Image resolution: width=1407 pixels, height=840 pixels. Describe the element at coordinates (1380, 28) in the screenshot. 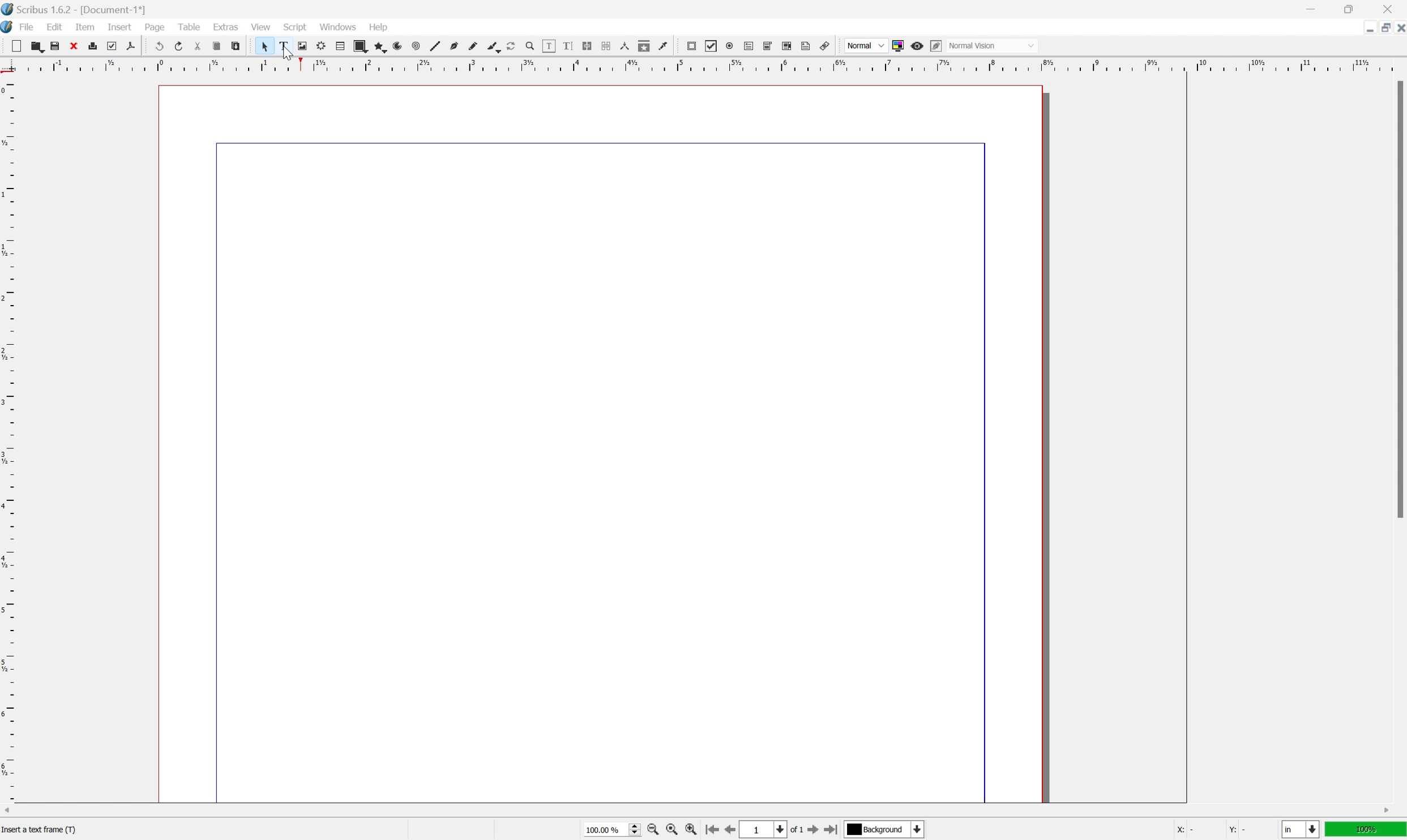

I see `restore down` at that location.